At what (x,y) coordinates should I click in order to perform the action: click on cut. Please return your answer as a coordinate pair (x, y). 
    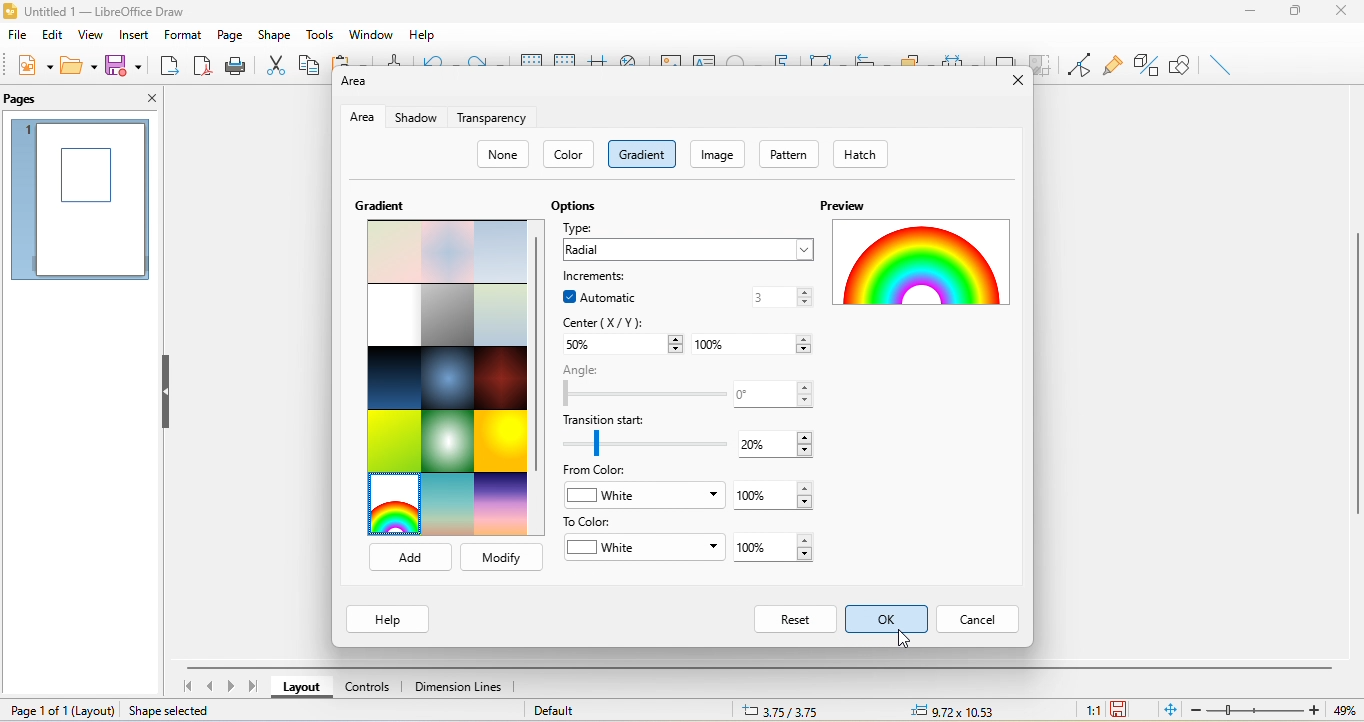
    Looking at the image, I should click on (277, 63).